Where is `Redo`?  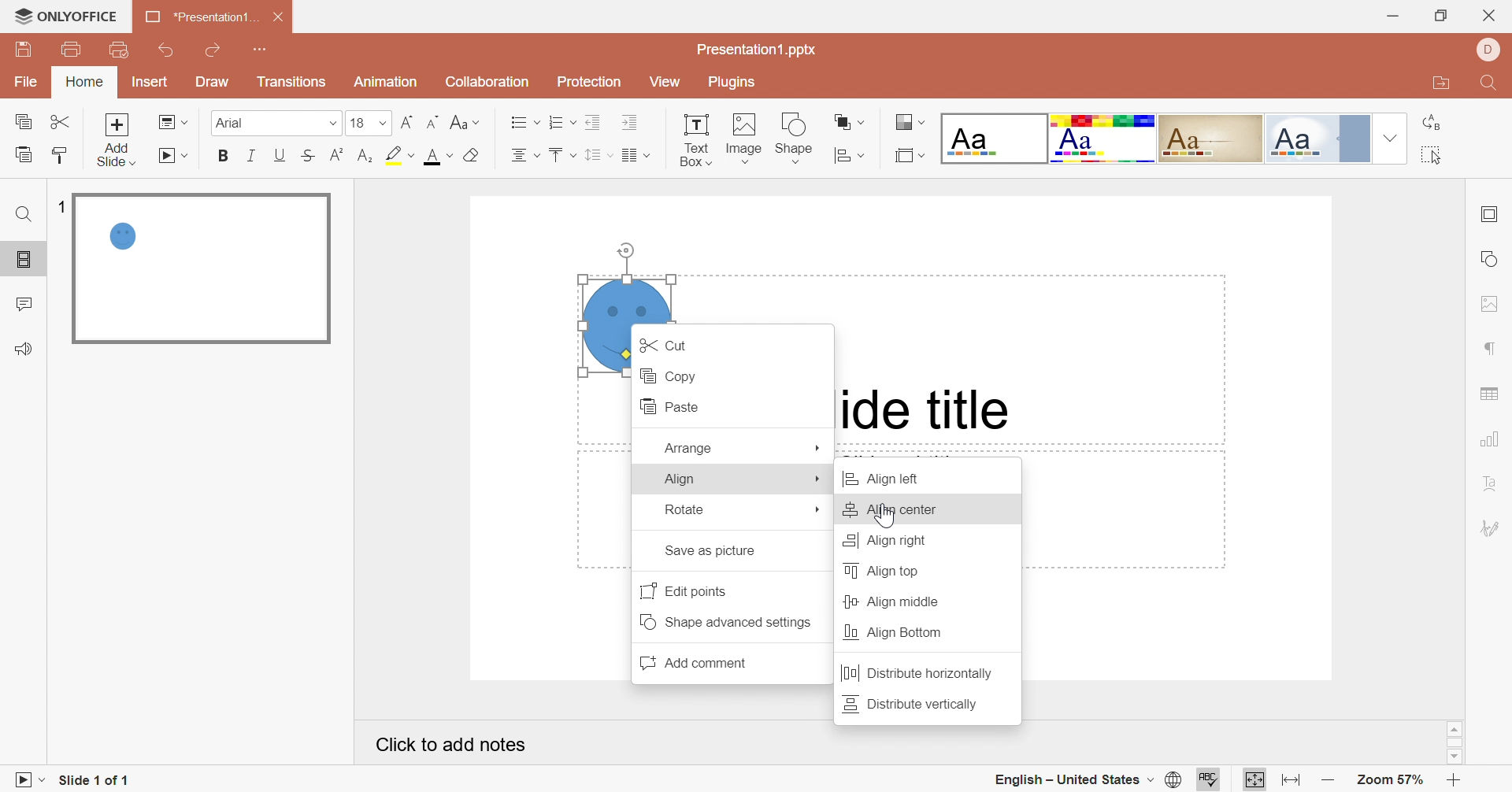 Redo is located at coordinates (216, 50).